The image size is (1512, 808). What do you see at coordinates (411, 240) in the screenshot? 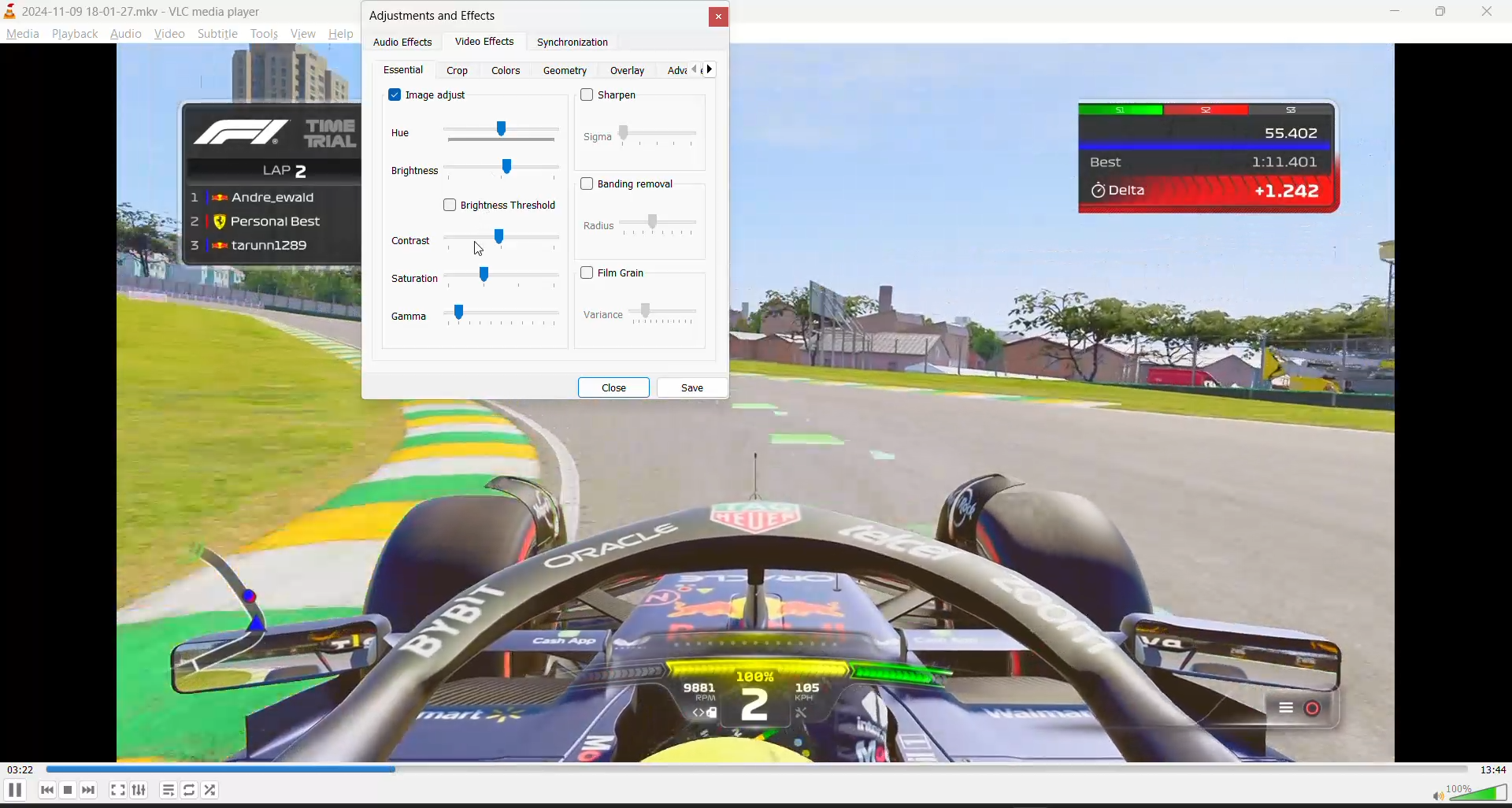
I see `contrast` at bounding box center [411, 240].